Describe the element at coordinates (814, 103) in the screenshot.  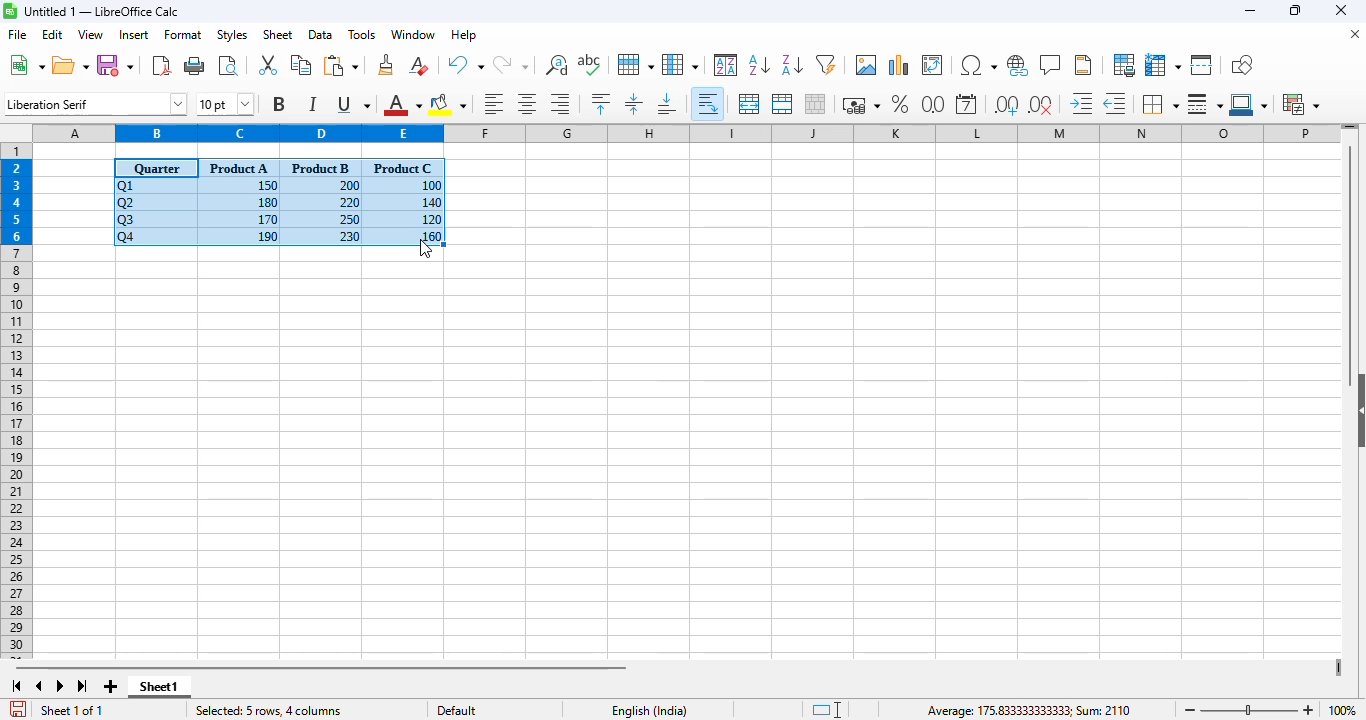
I see `unmerge cells` at that location.